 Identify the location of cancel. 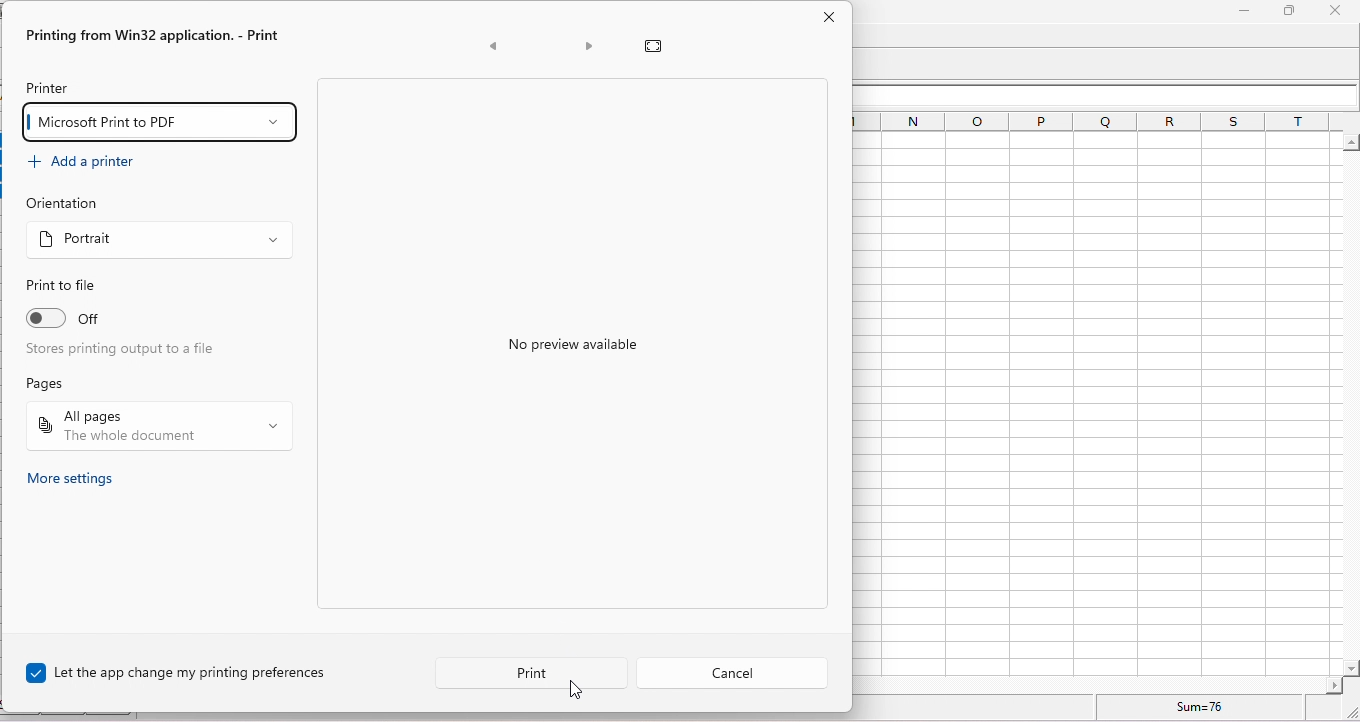
(736, 671).